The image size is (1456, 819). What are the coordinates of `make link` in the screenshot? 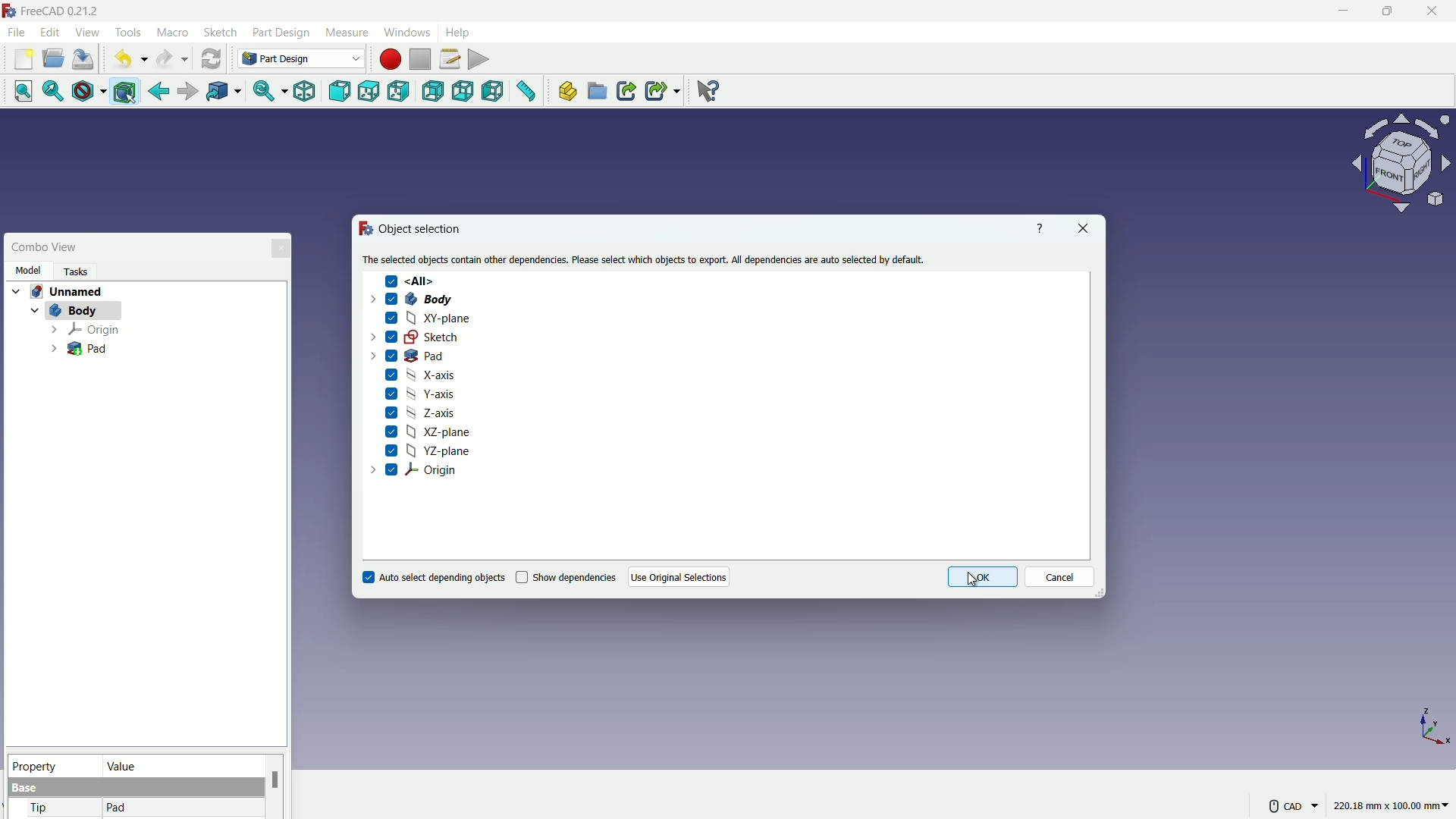 It's located at (626, 93).